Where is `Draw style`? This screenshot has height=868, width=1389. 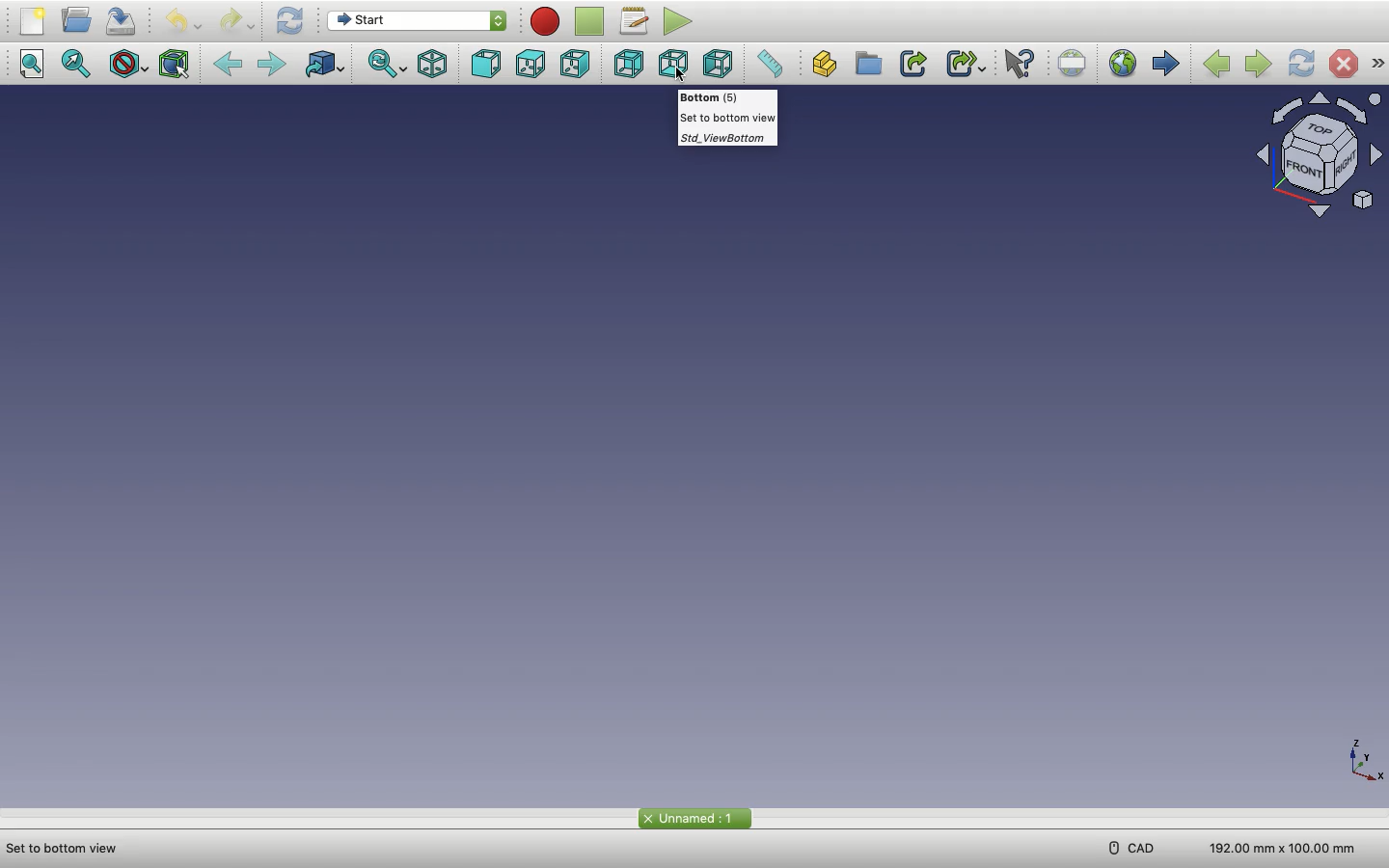 Draw style is located at coordinates (129, 65).